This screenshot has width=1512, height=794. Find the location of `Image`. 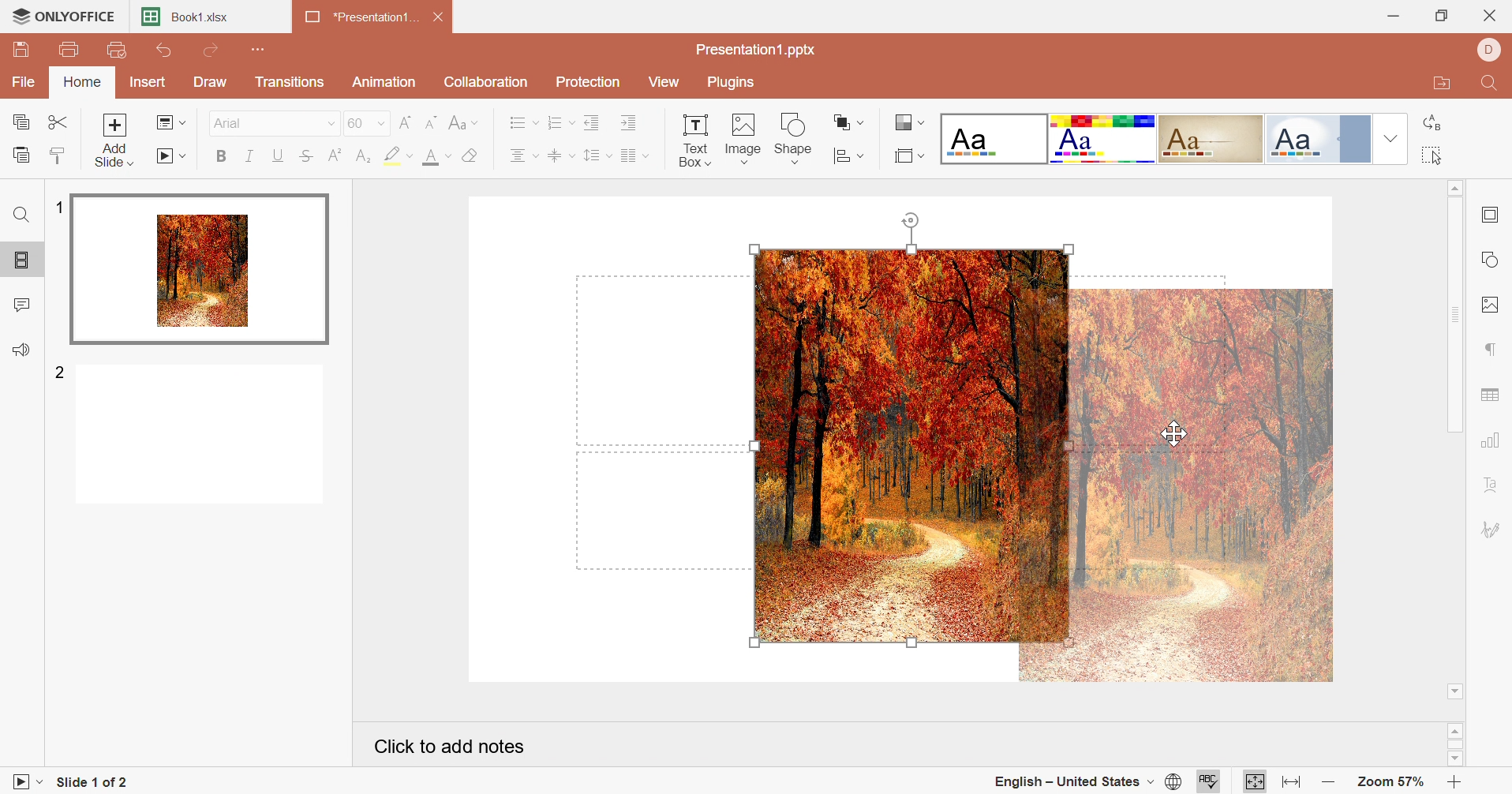

Image is located at coordinates (743, 137).